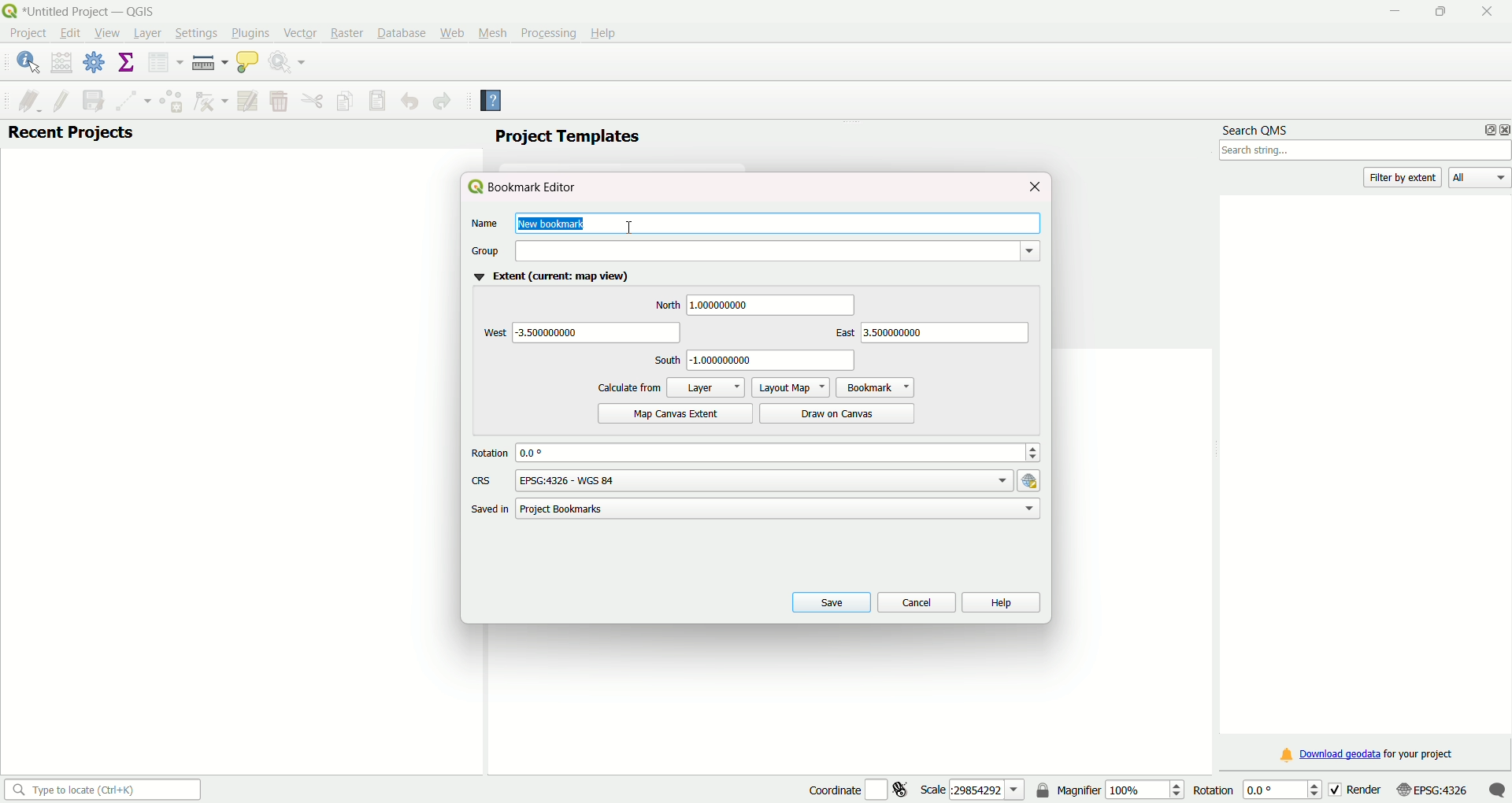 The image size is (1512, 803). What do you see at coordinates (776, 250) in the screenshot?
I see `dropdown` at bounding box center [776, 250].